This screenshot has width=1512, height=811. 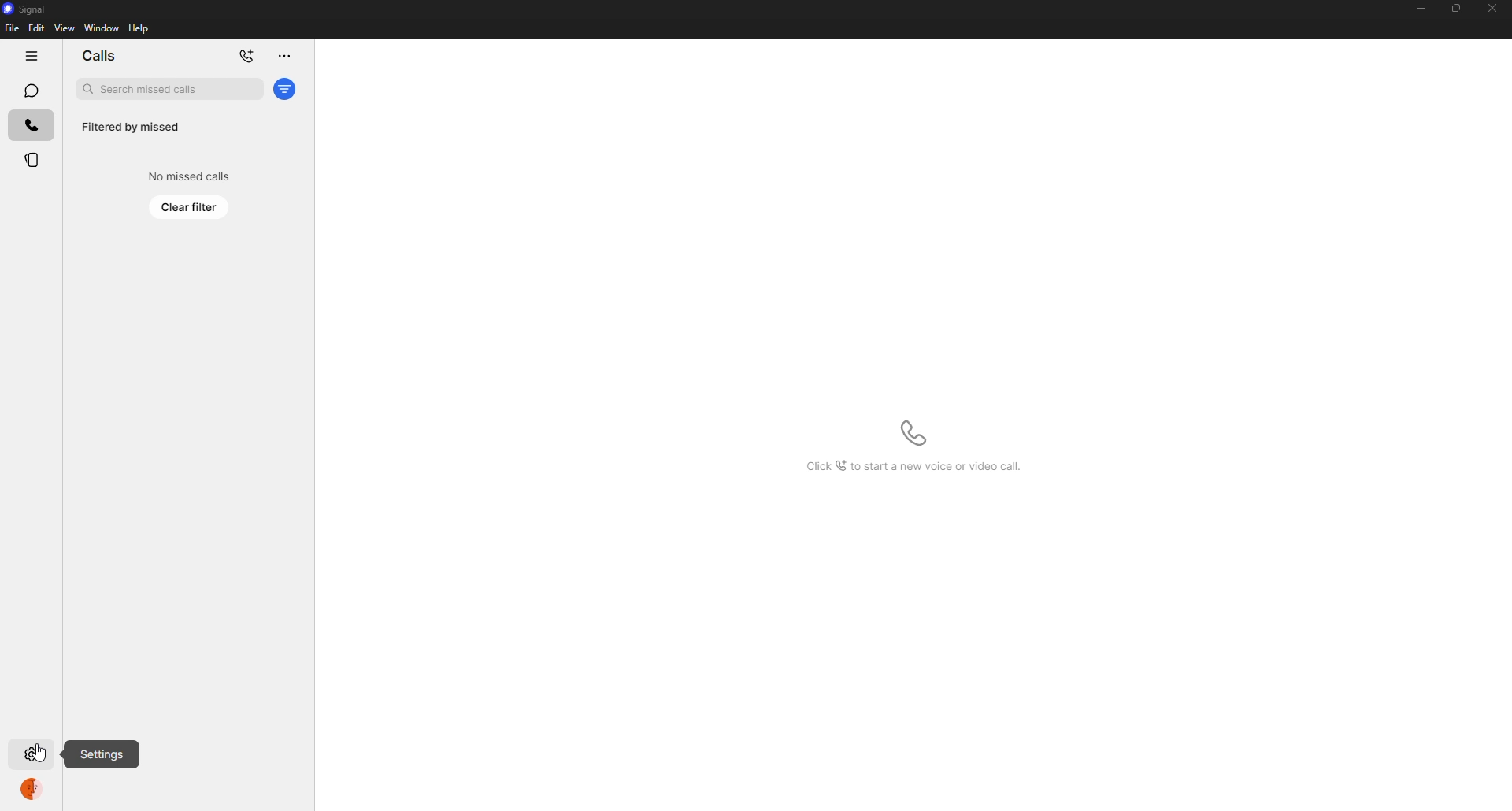 I want to click on view, so click(x=64, y=28).